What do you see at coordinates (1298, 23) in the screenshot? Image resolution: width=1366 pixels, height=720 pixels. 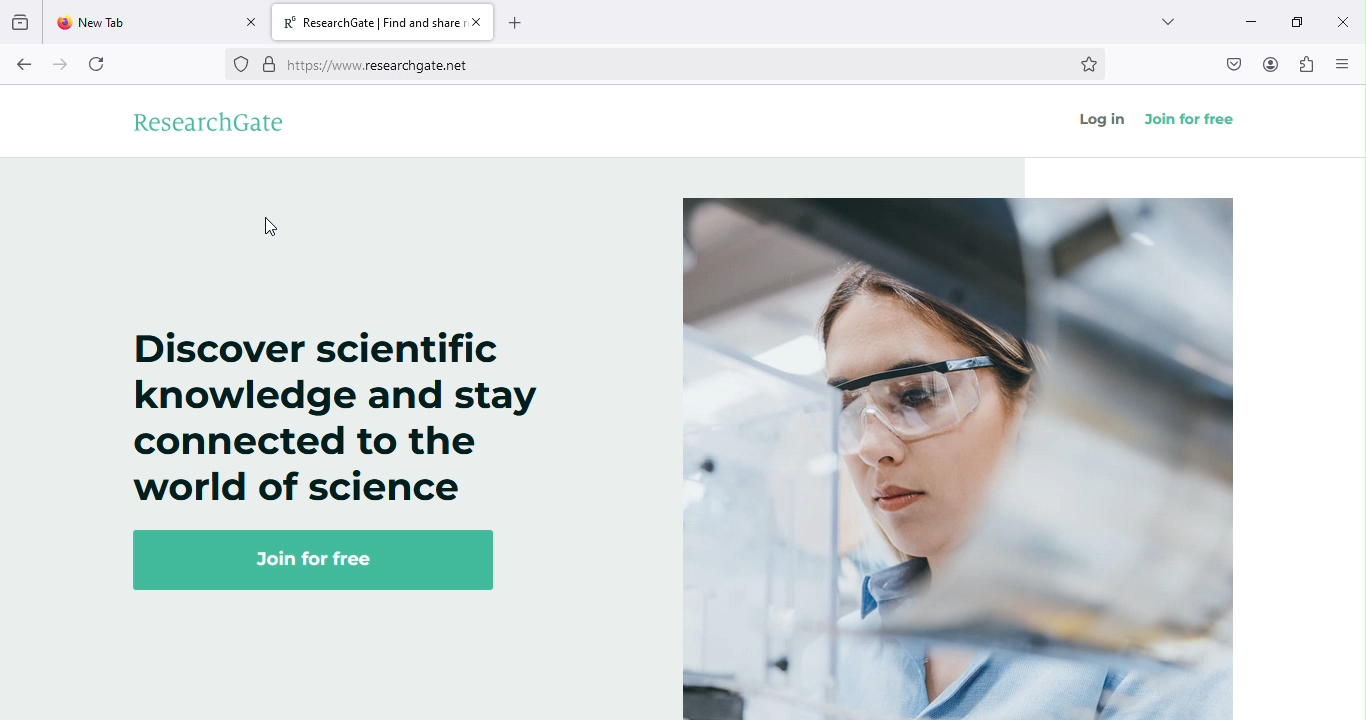 I see `maximize` at bounding box center [1298, 23].